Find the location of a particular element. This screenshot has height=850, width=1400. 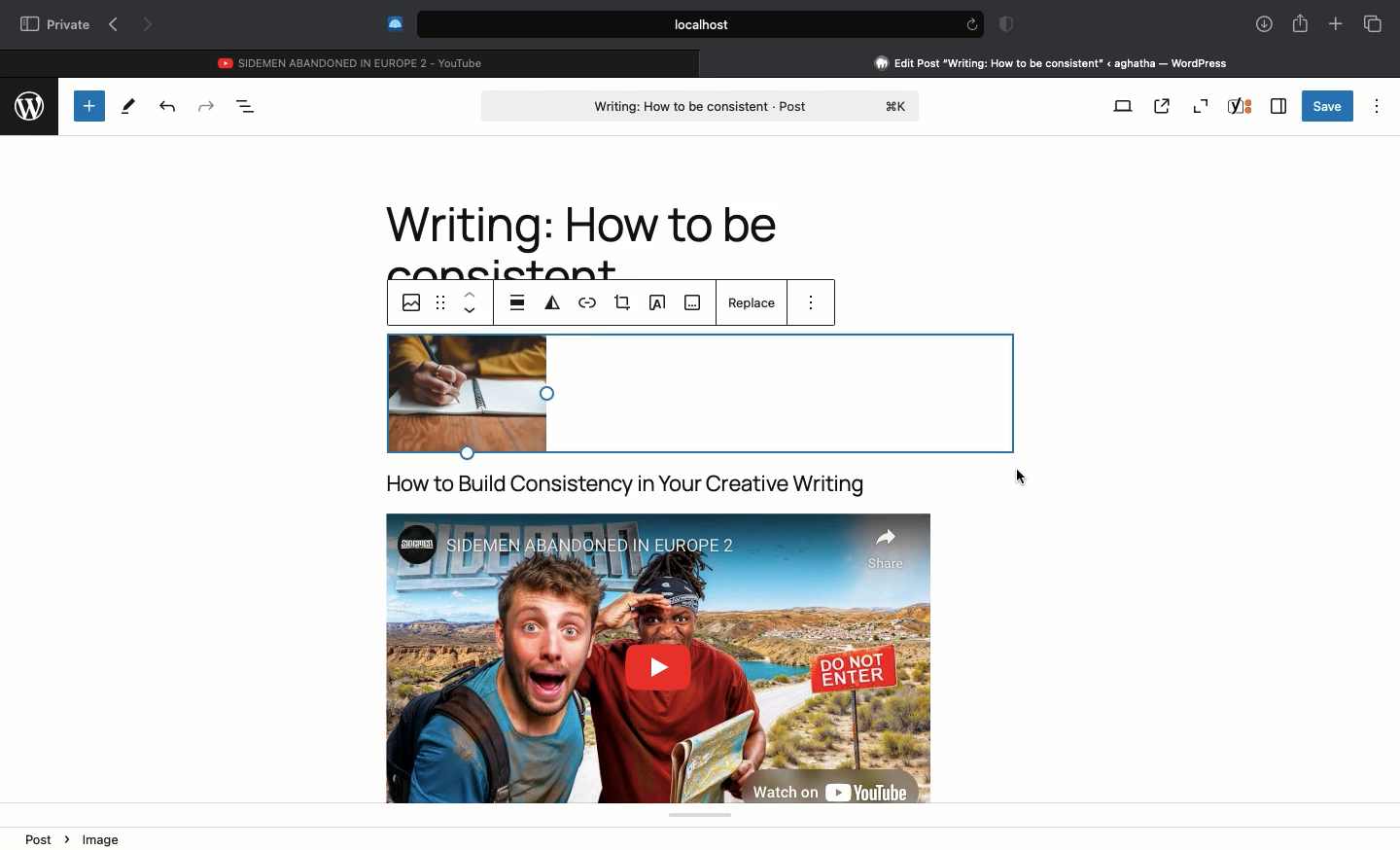

link is located at coordinates (586, 304).